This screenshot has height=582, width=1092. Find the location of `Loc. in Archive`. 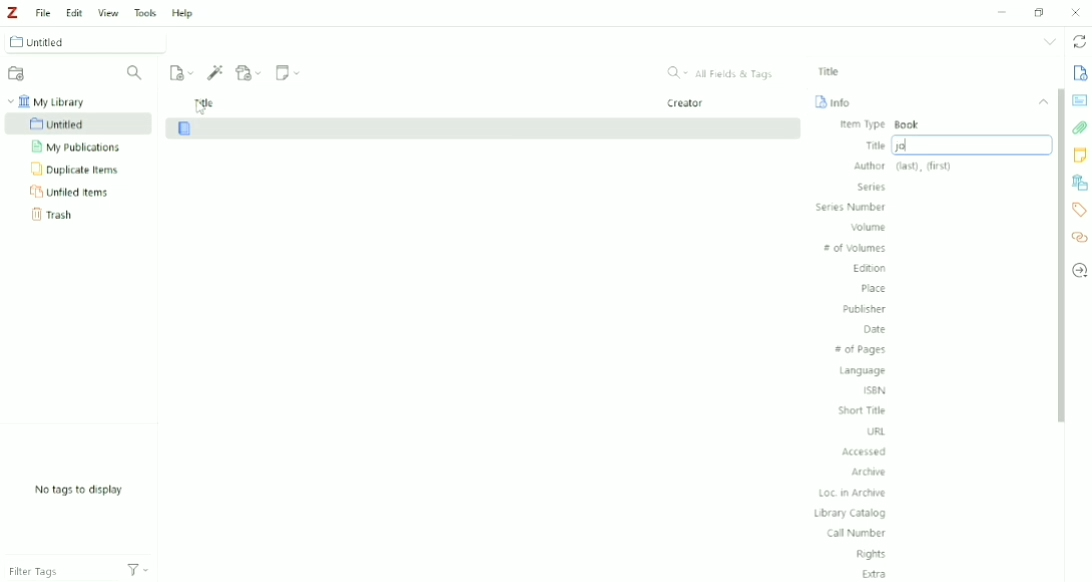

Loc. in Archive is located at coordinates (853, 493).